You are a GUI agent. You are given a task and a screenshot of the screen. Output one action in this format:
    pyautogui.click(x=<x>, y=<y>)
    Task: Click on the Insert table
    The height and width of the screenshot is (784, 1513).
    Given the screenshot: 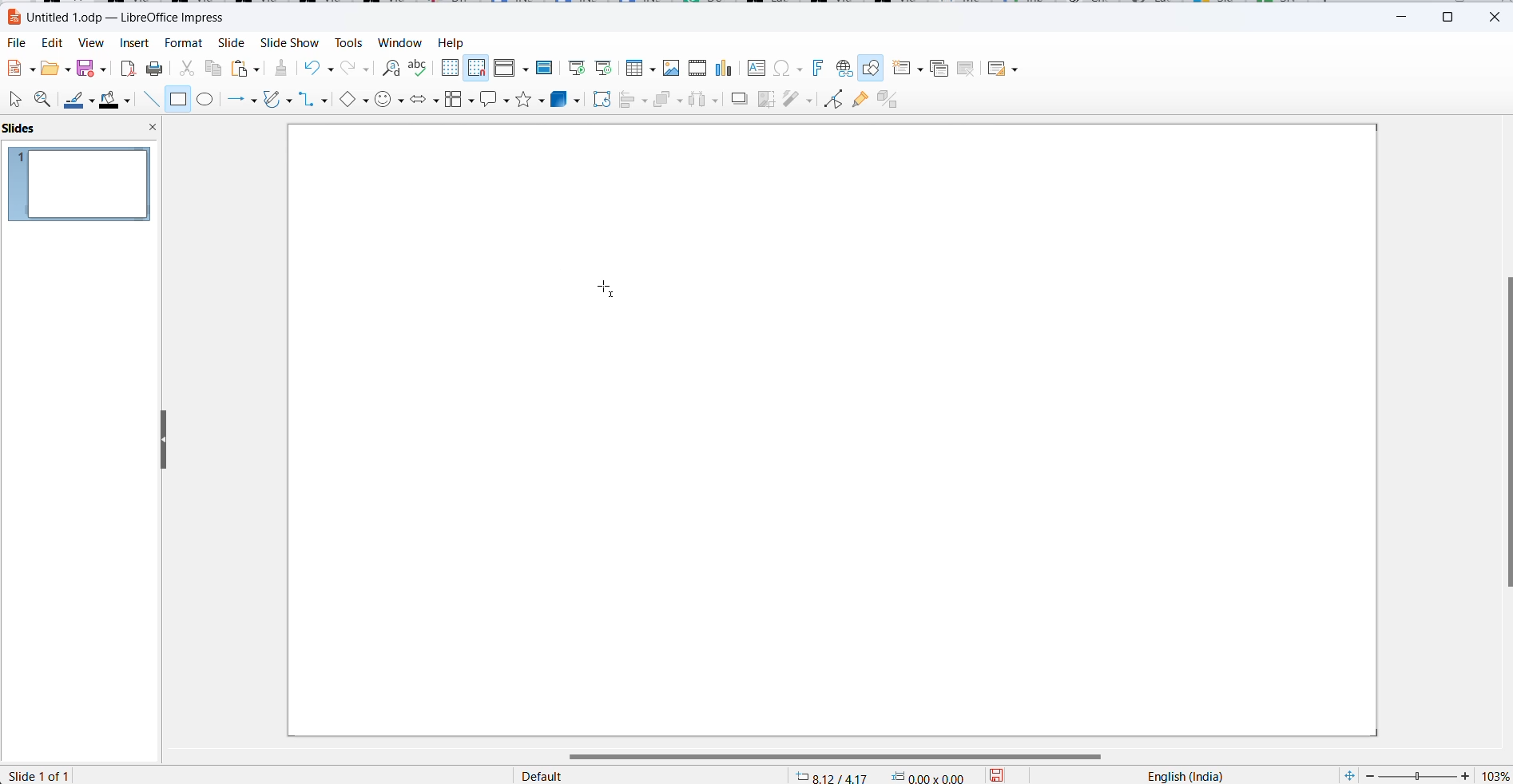 What is the action you would take?
    pyautogui.click(x=640, y=68)
    